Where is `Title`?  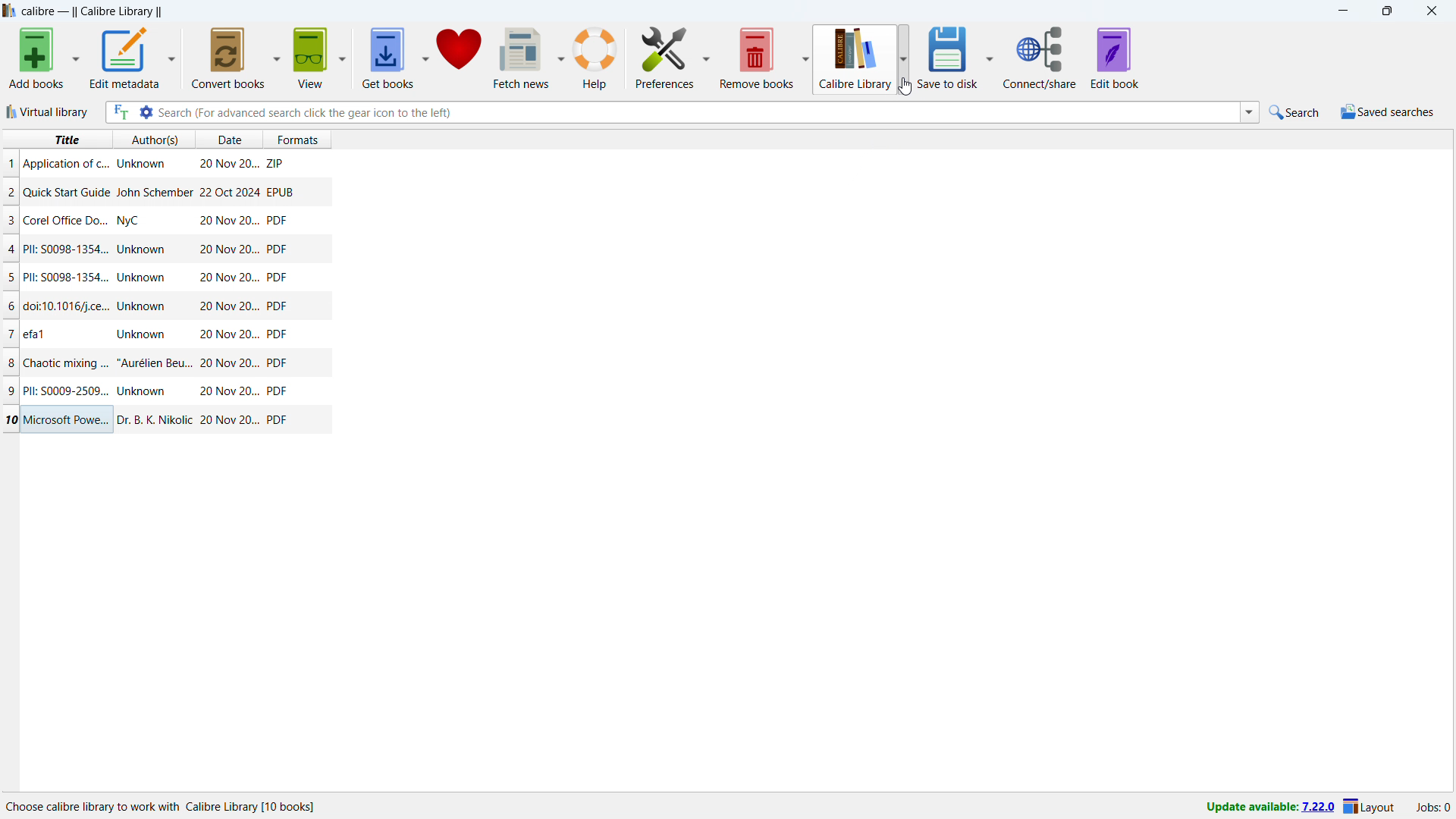 Title is located at coordinates (64, 390).